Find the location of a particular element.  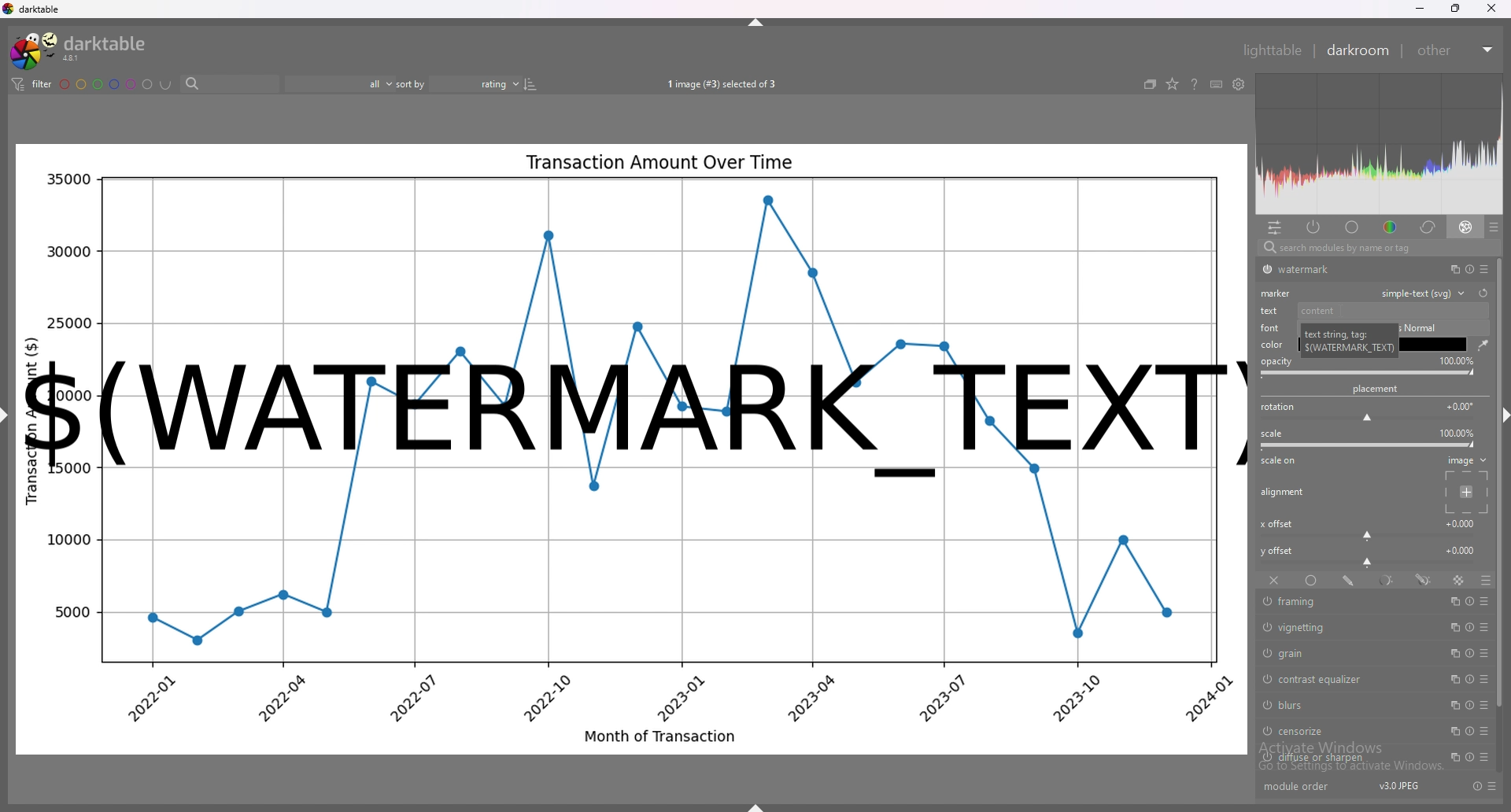

multiple instances action is located at coordinates (1453, 705).